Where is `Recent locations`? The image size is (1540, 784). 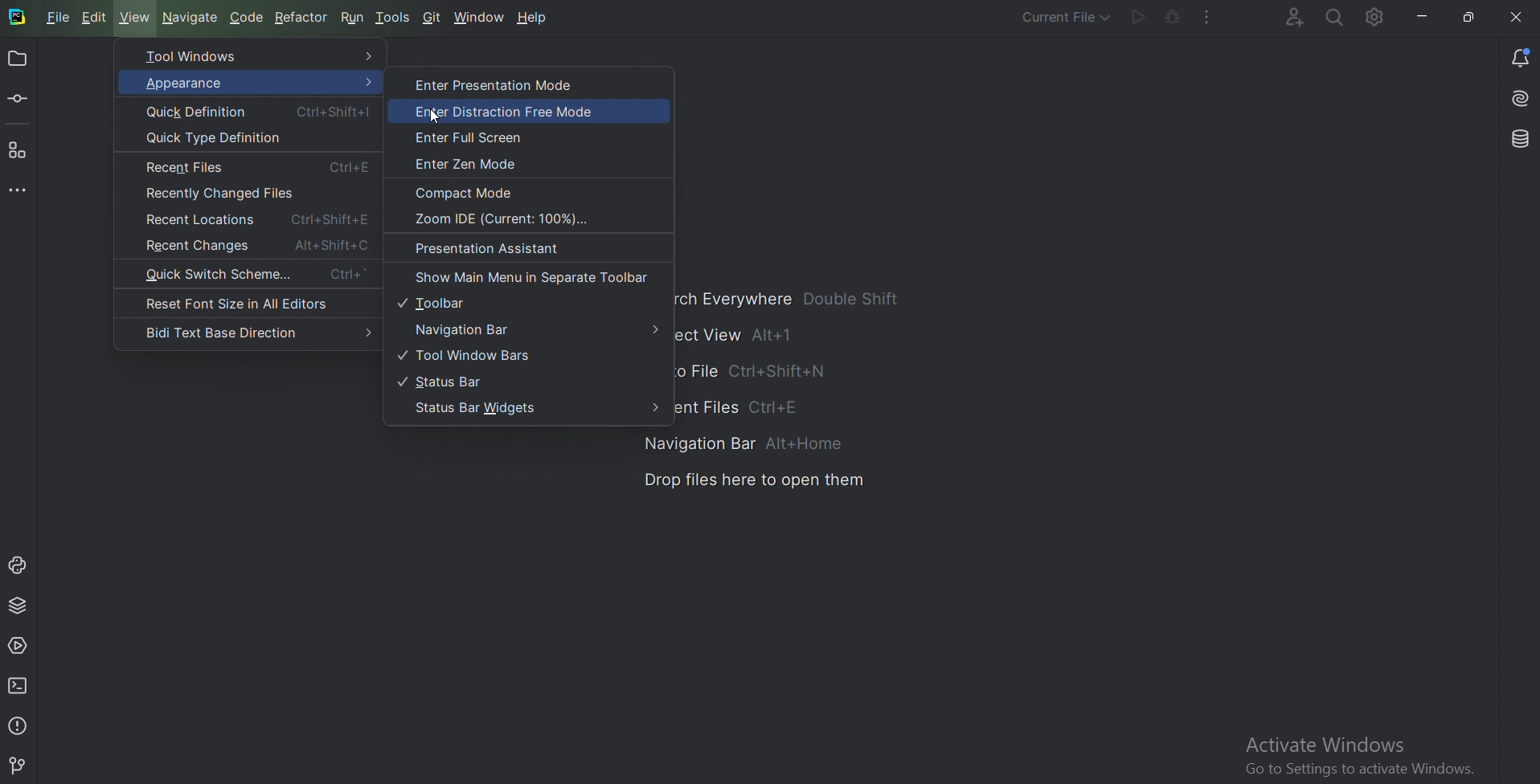 Recent locations is located at coordinates (257, 219).